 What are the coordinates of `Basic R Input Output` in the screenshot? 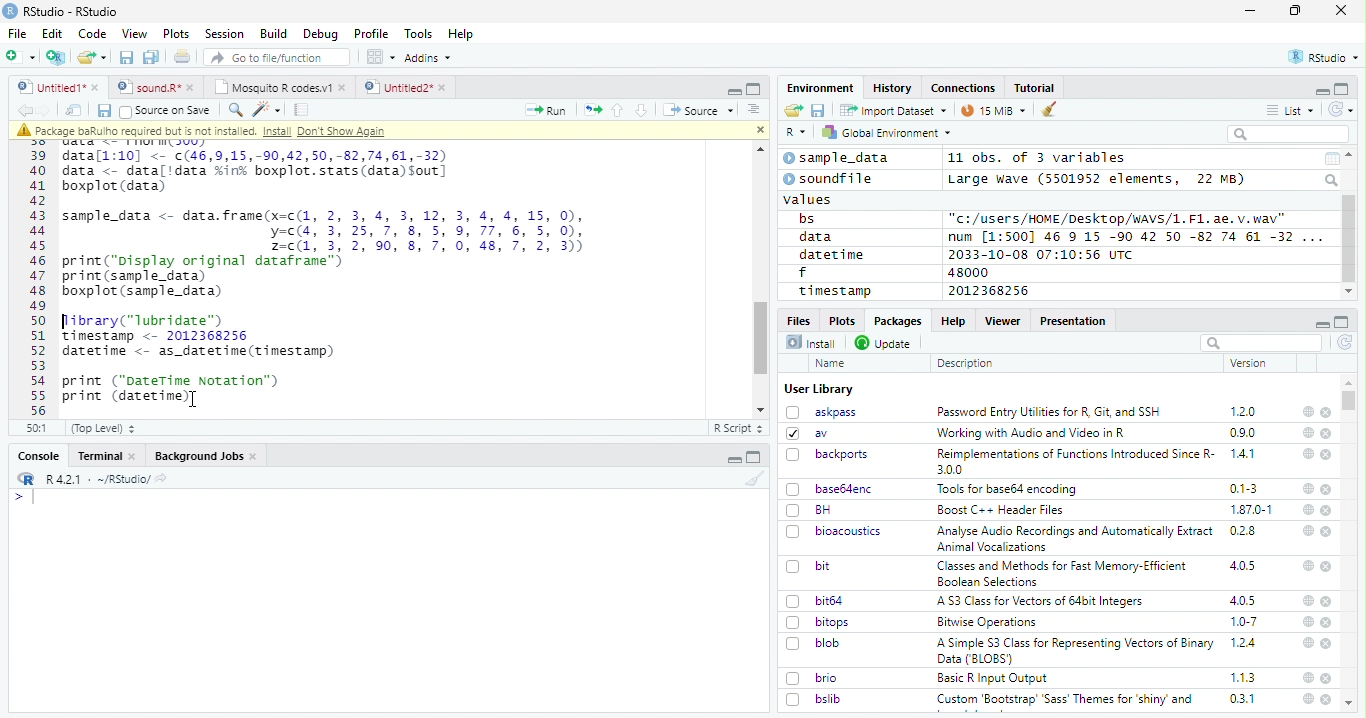 It's located at (995, 678).